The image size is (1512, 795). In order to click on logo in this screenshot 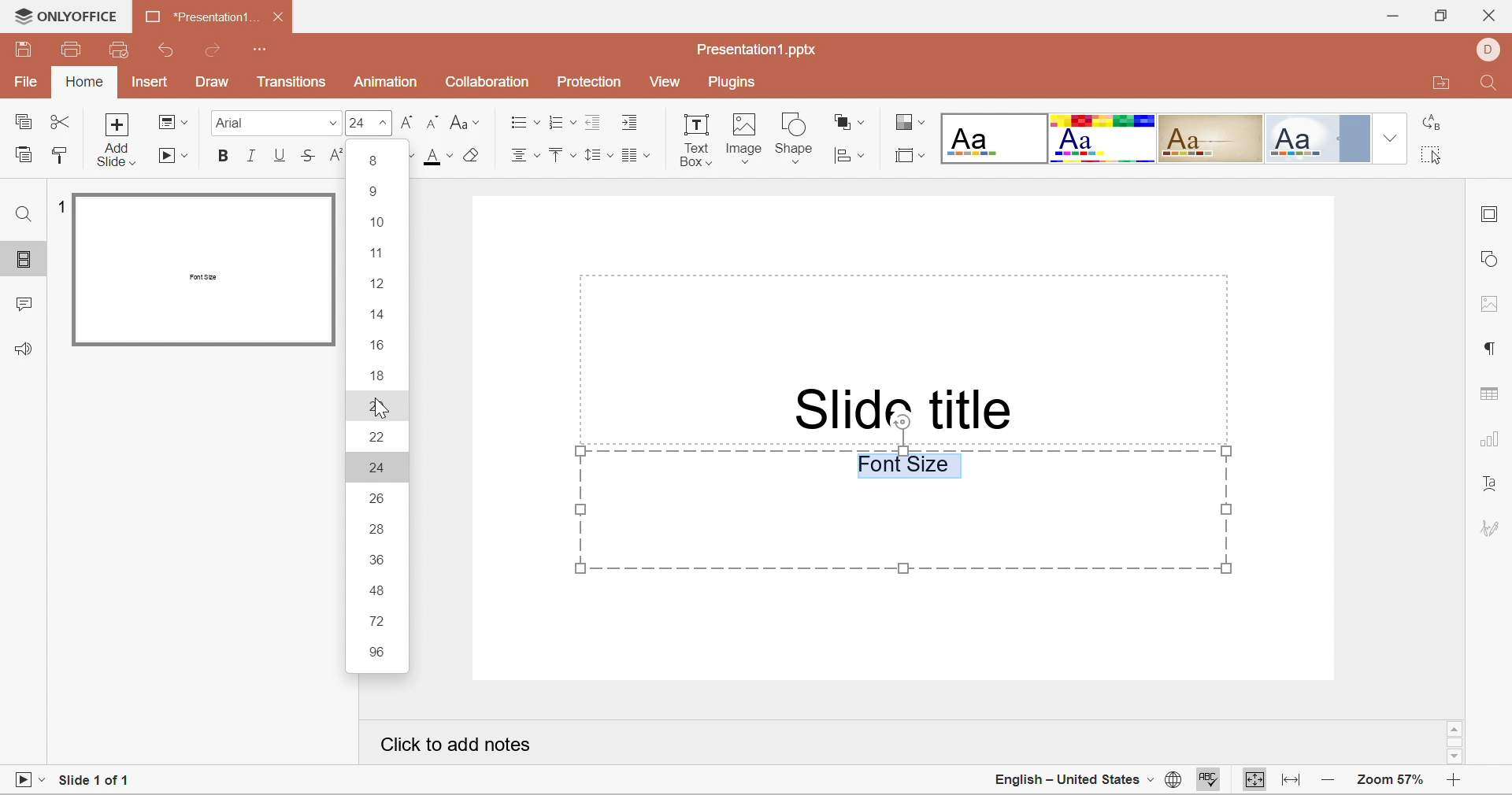, I will do `click(18, 15)`.